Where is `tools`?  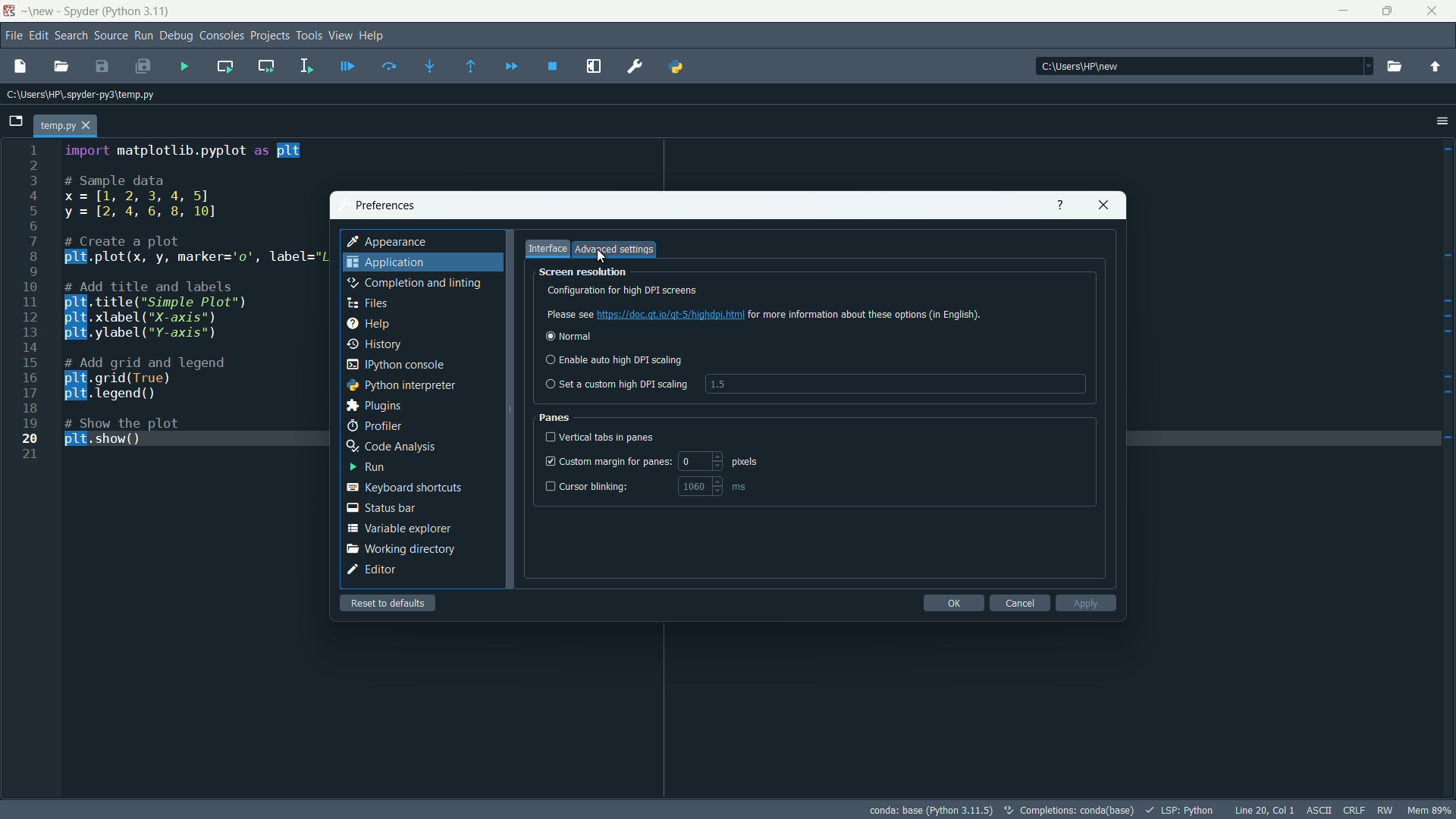
tools is located at coordinates (310, 36).